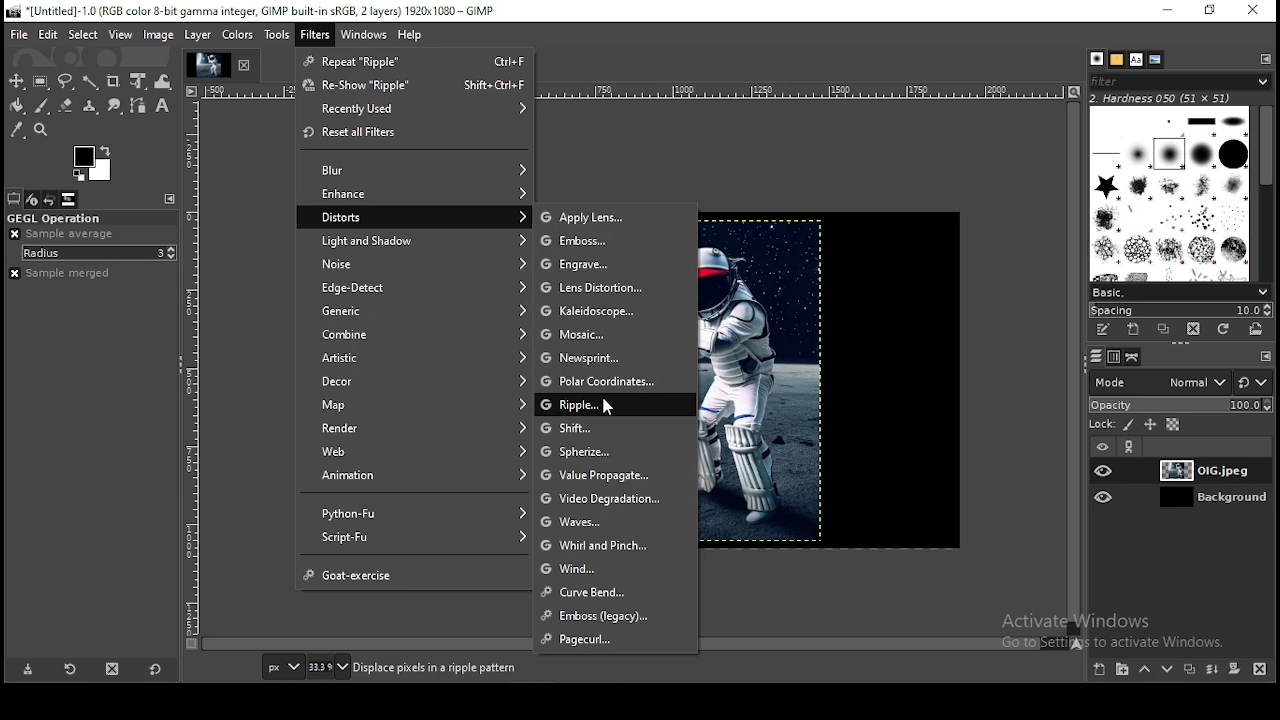 The height and width of the screenshot is (720, 1280). Describe the element at coordinates (1255, 11) in the screenshot. I see `close window` at that location.